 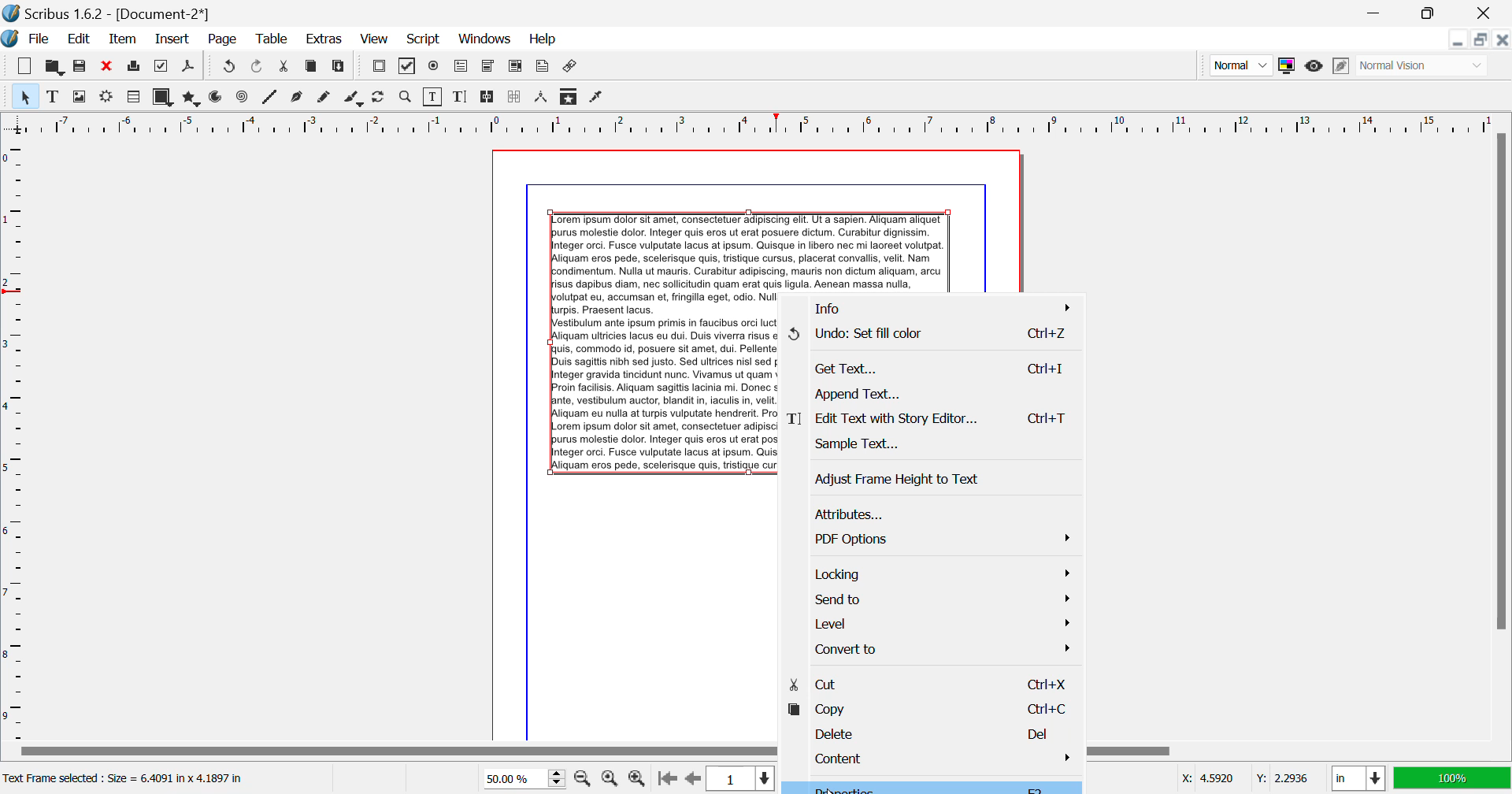 I want to click on Display Appearance, so click(x=1452, y=778).